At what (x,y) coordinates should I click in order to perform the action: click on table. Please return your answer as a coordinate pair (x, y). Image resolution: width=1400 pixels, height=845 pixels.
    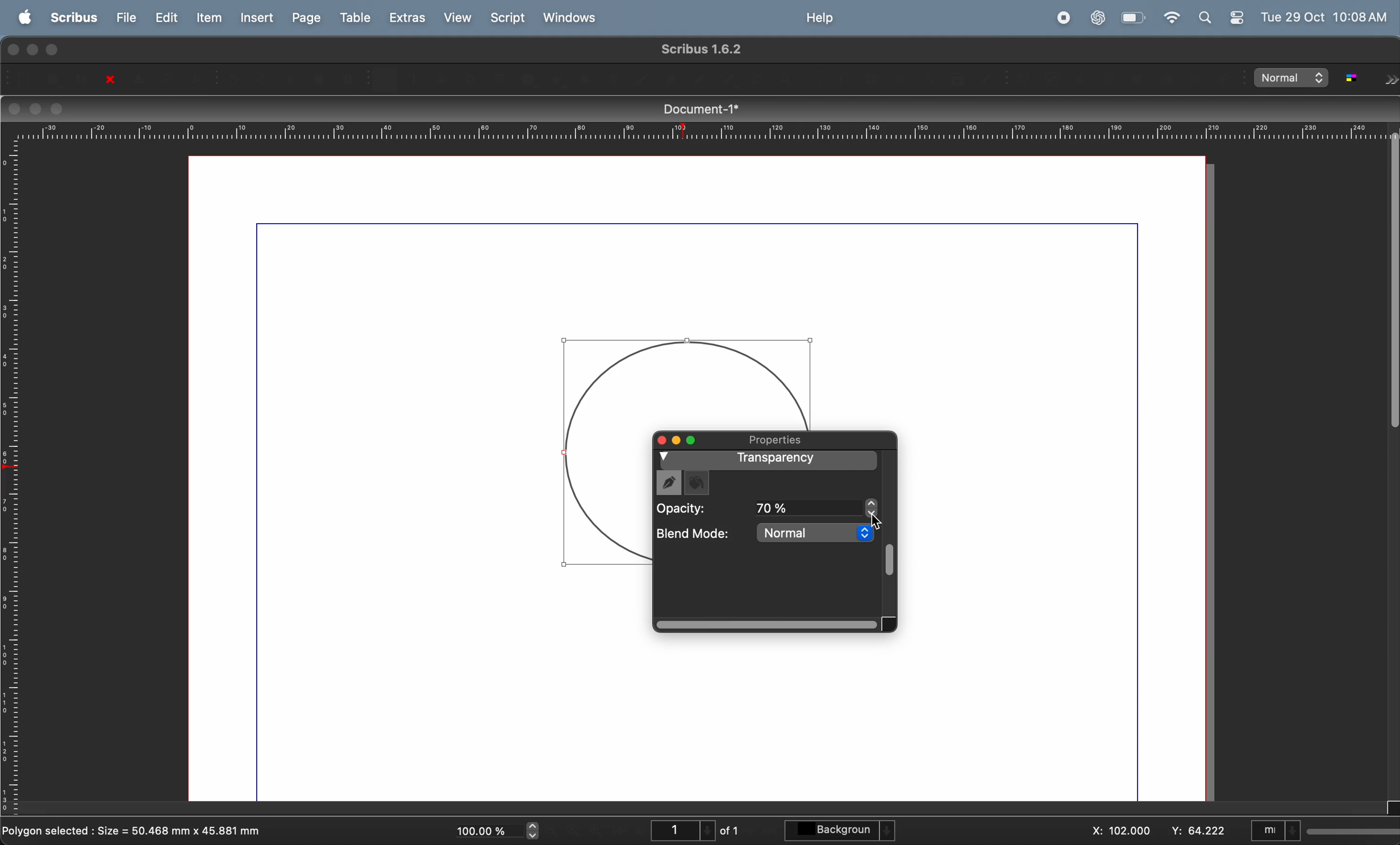
    Looking at the image, I should click on (353, 17).